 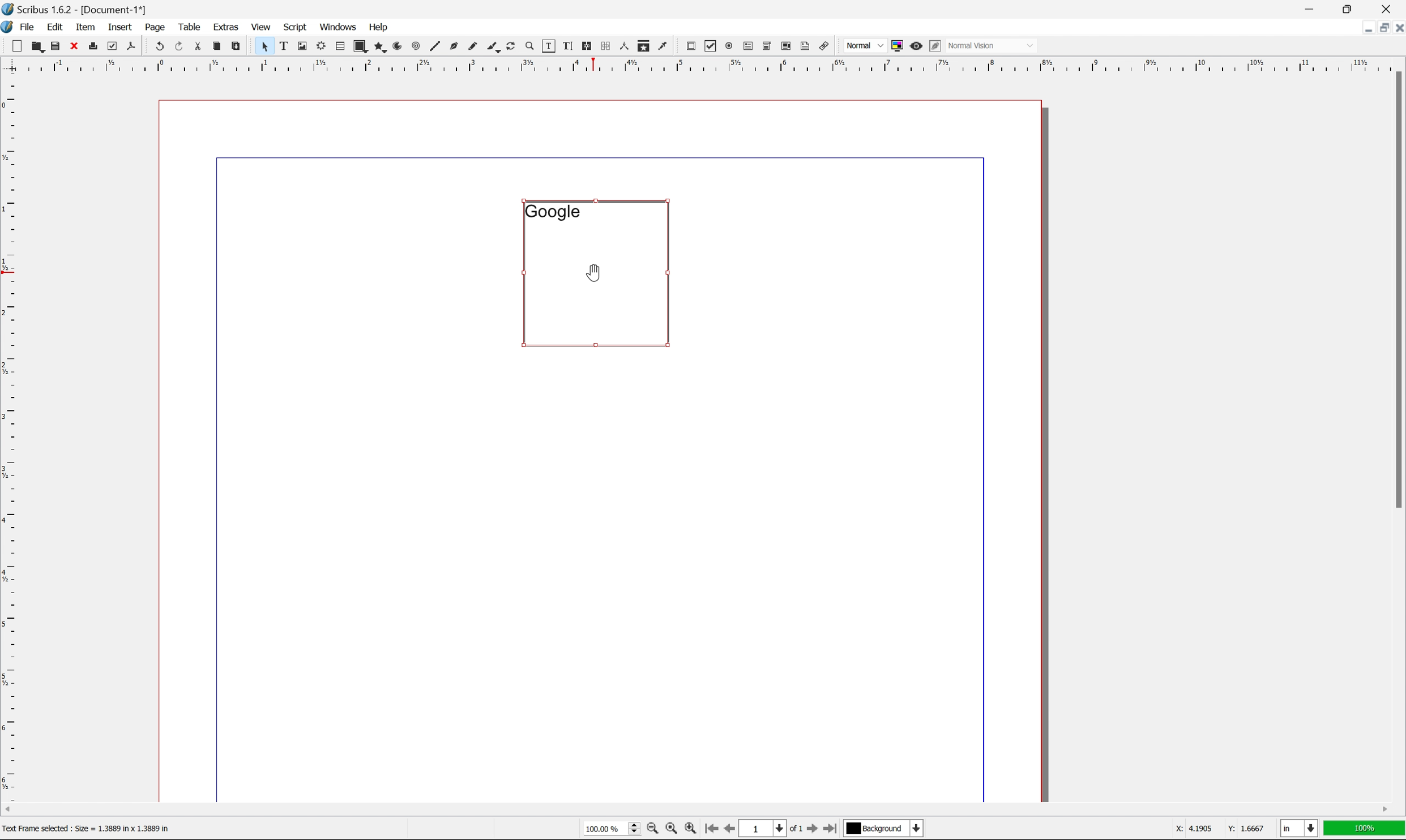 I want to click on paste, so click(x=237, y=46).